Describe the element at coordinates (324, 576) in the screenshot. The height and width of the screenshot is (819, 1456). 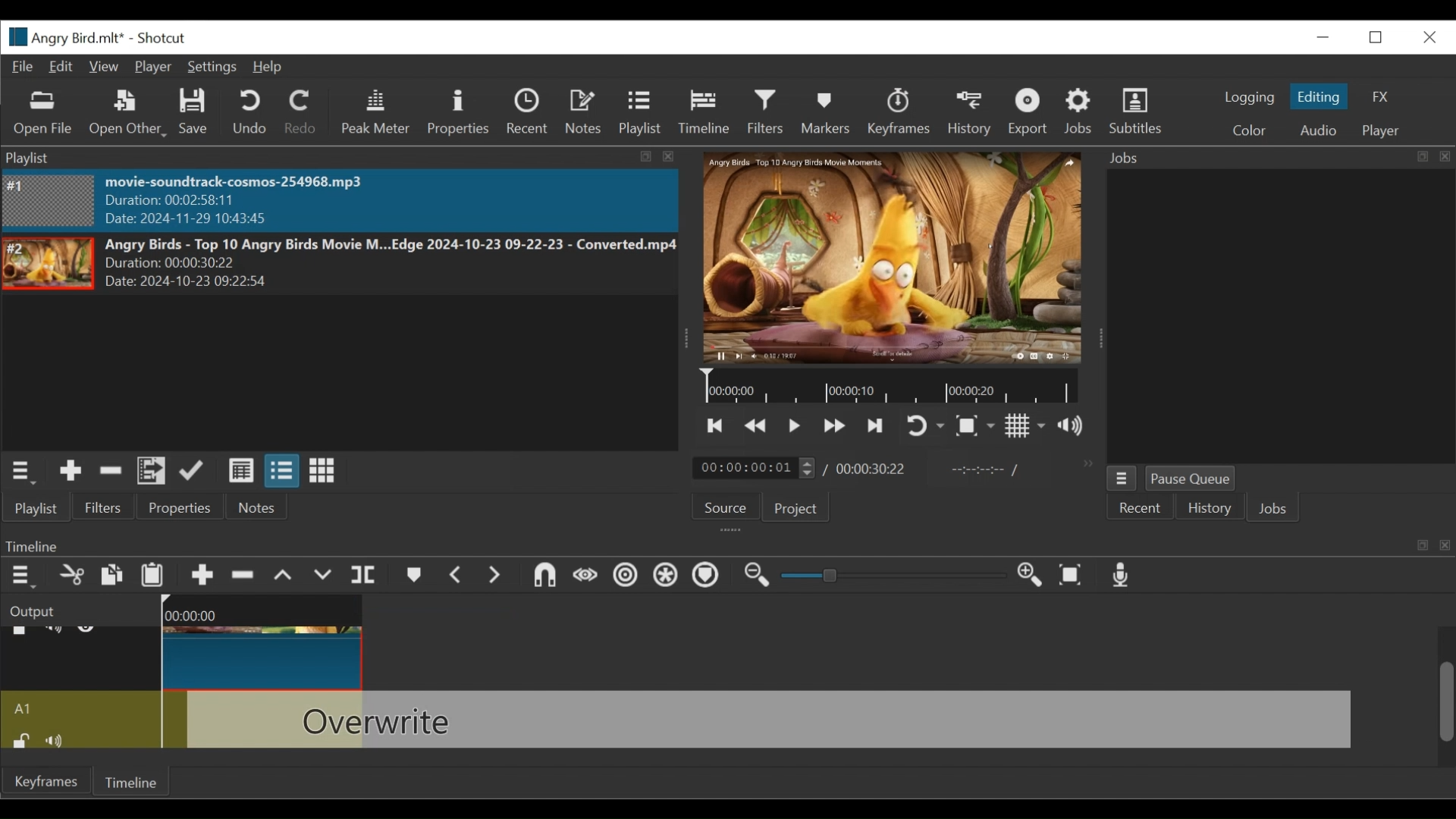
I see `Overwrite` at that location.